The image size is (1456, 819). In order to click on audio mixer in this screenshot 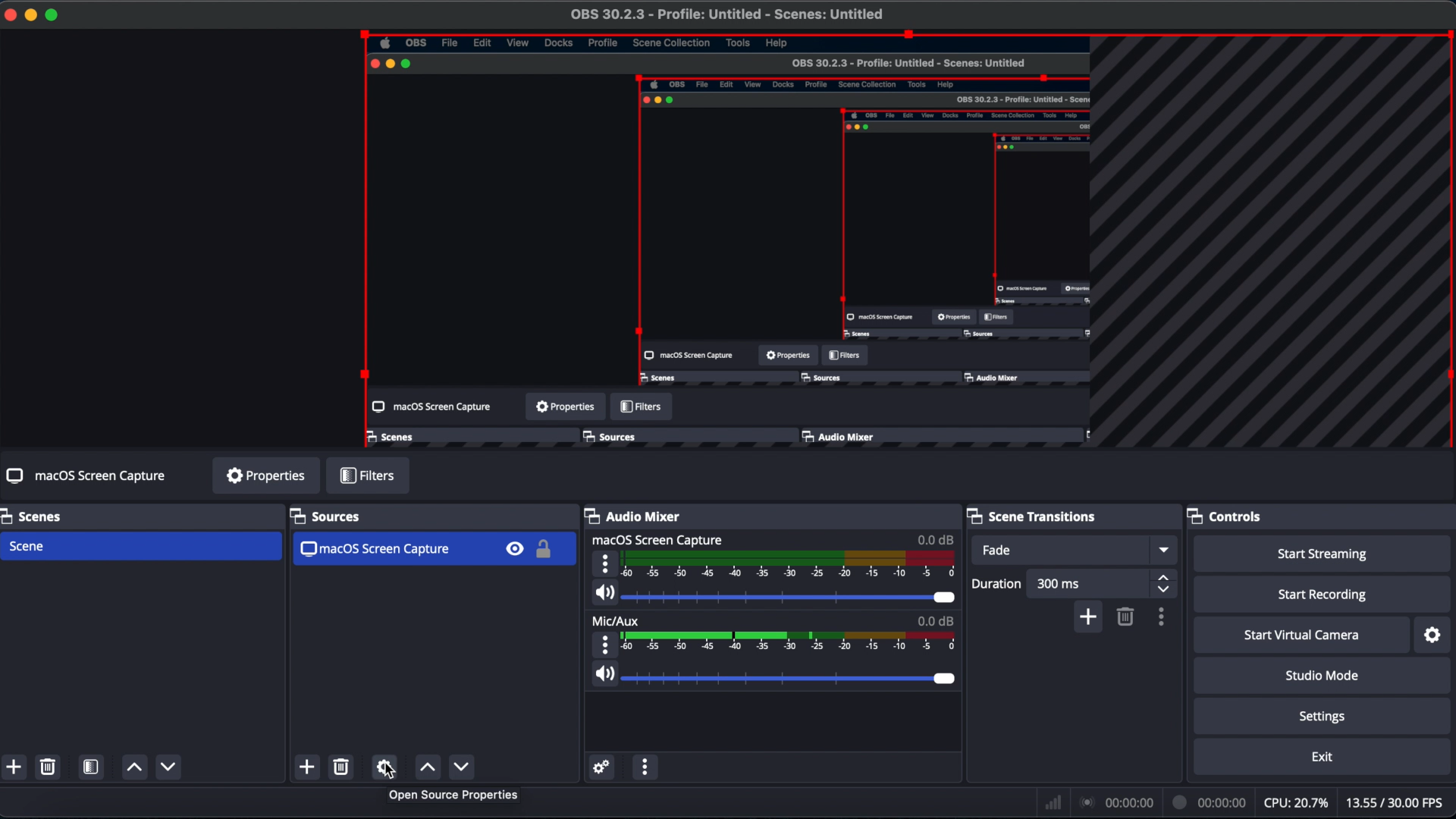, I will do `click(631, 516)`.